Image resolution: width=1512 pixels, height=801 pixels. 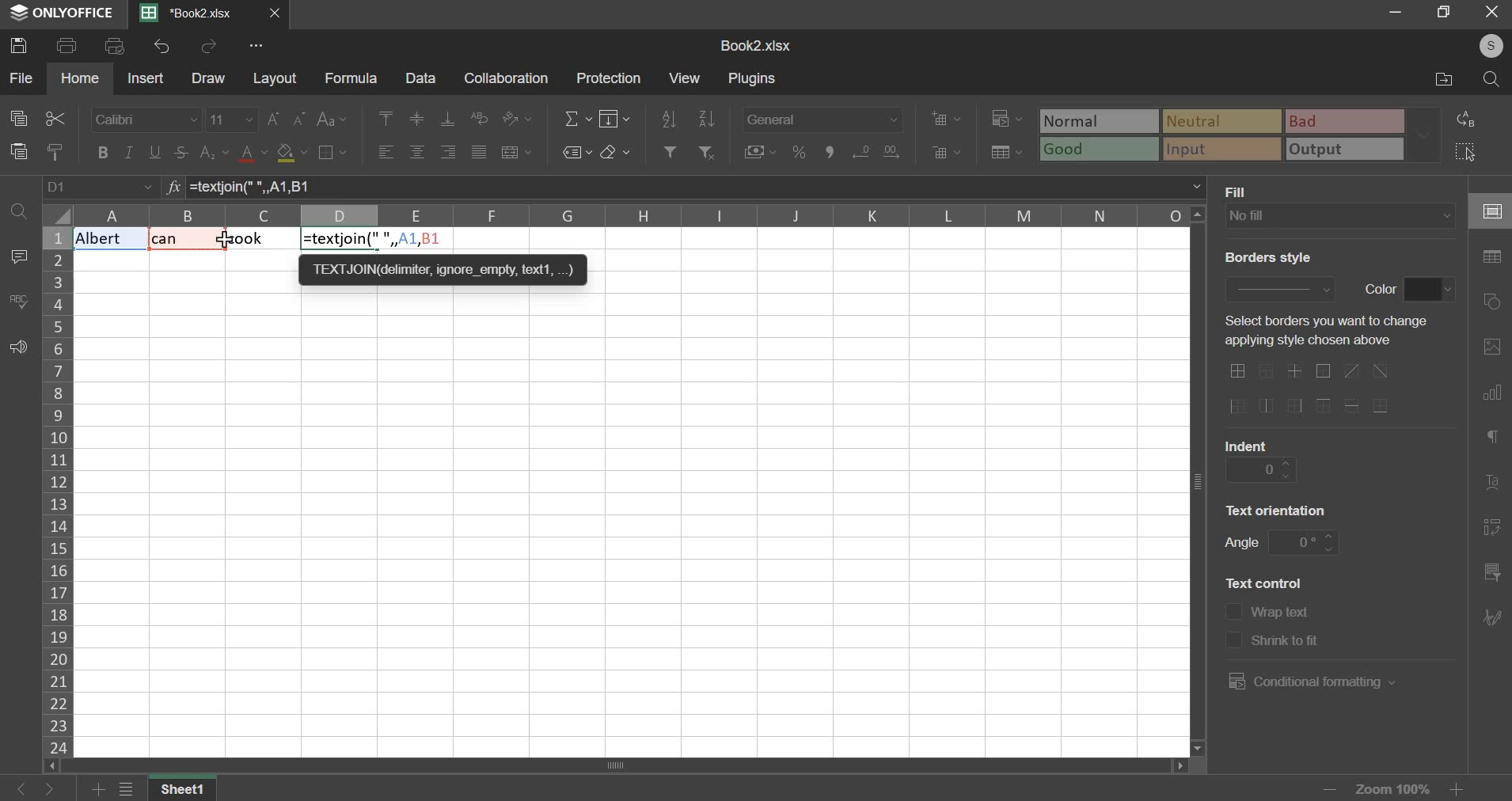 What do you see at coordinates (1241, 135) in the screenshot?
I see `type` at bounding box center [1241, 135].